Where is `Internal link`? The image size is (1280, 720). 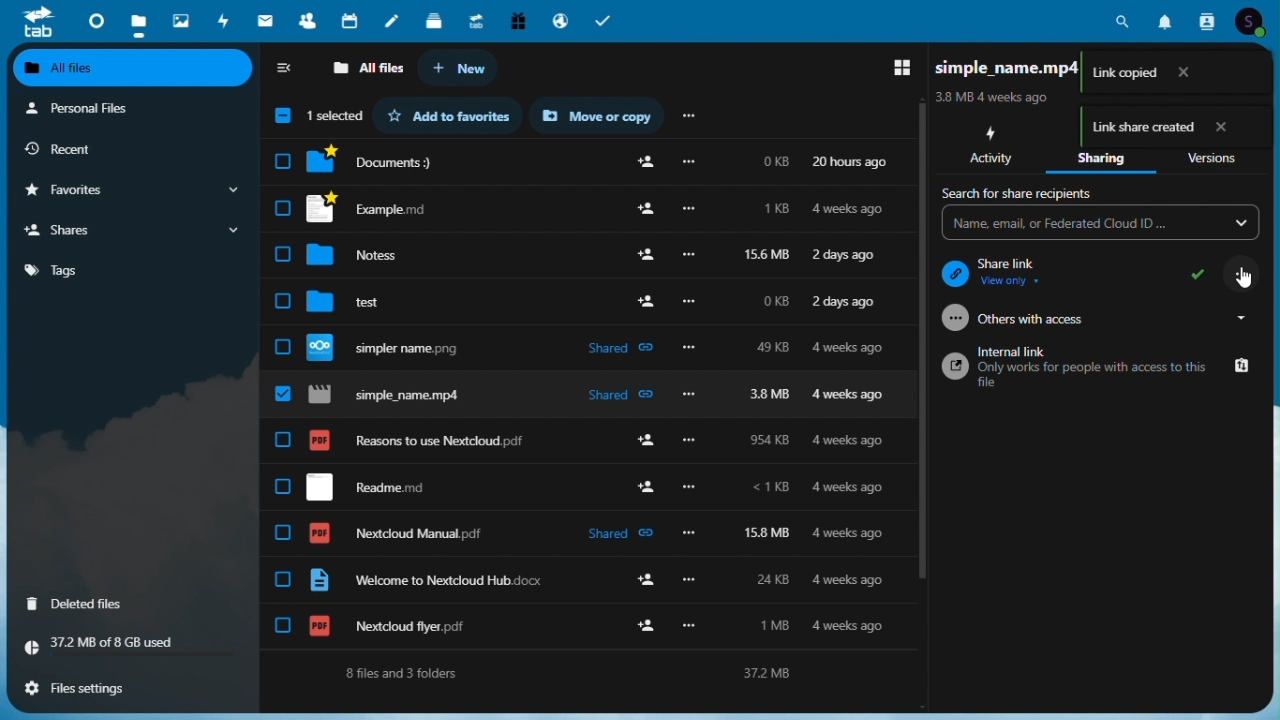
Internal link is located at coordinates (1096, 367).